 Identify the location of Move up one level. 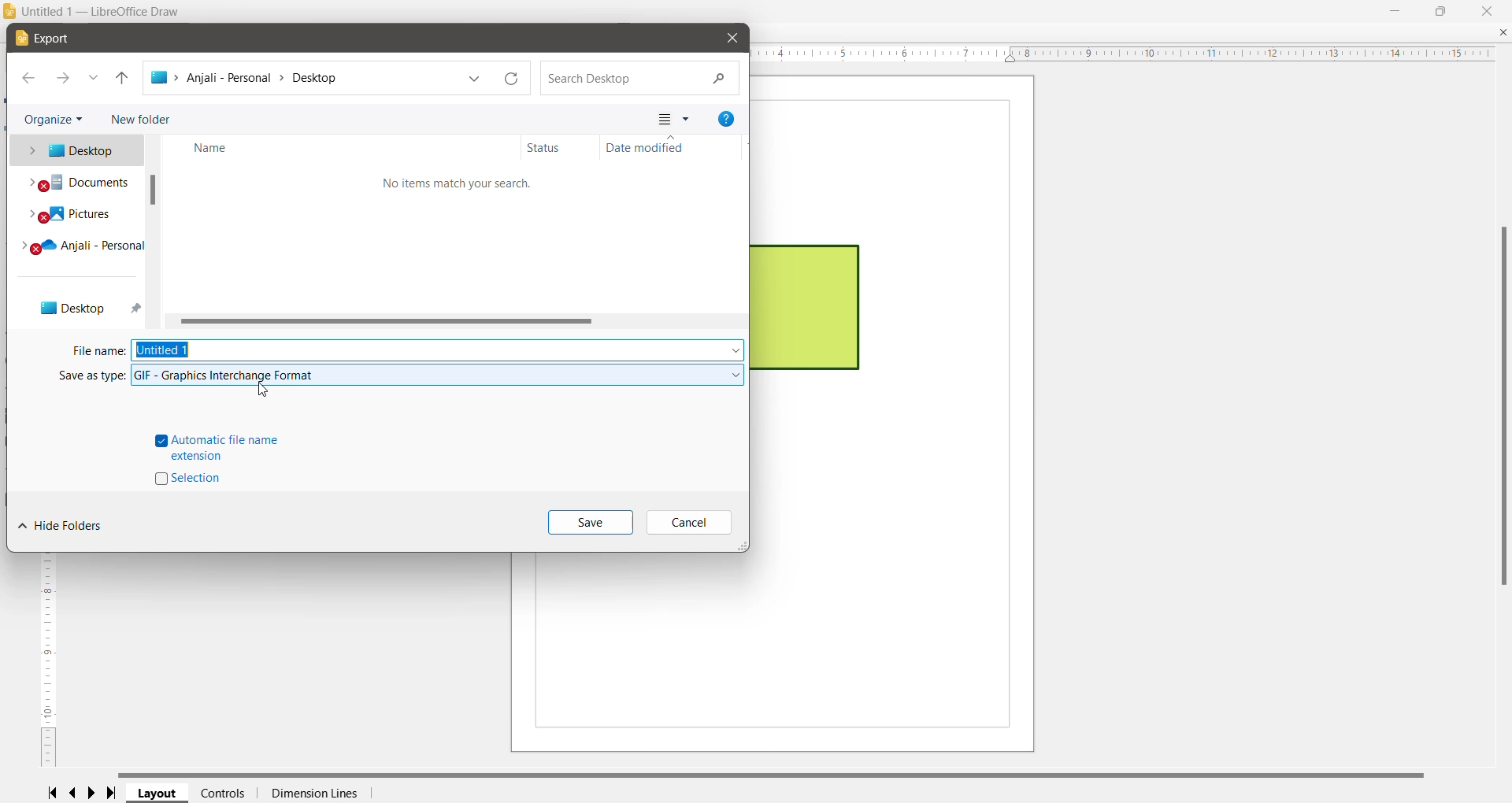
(122, 80).